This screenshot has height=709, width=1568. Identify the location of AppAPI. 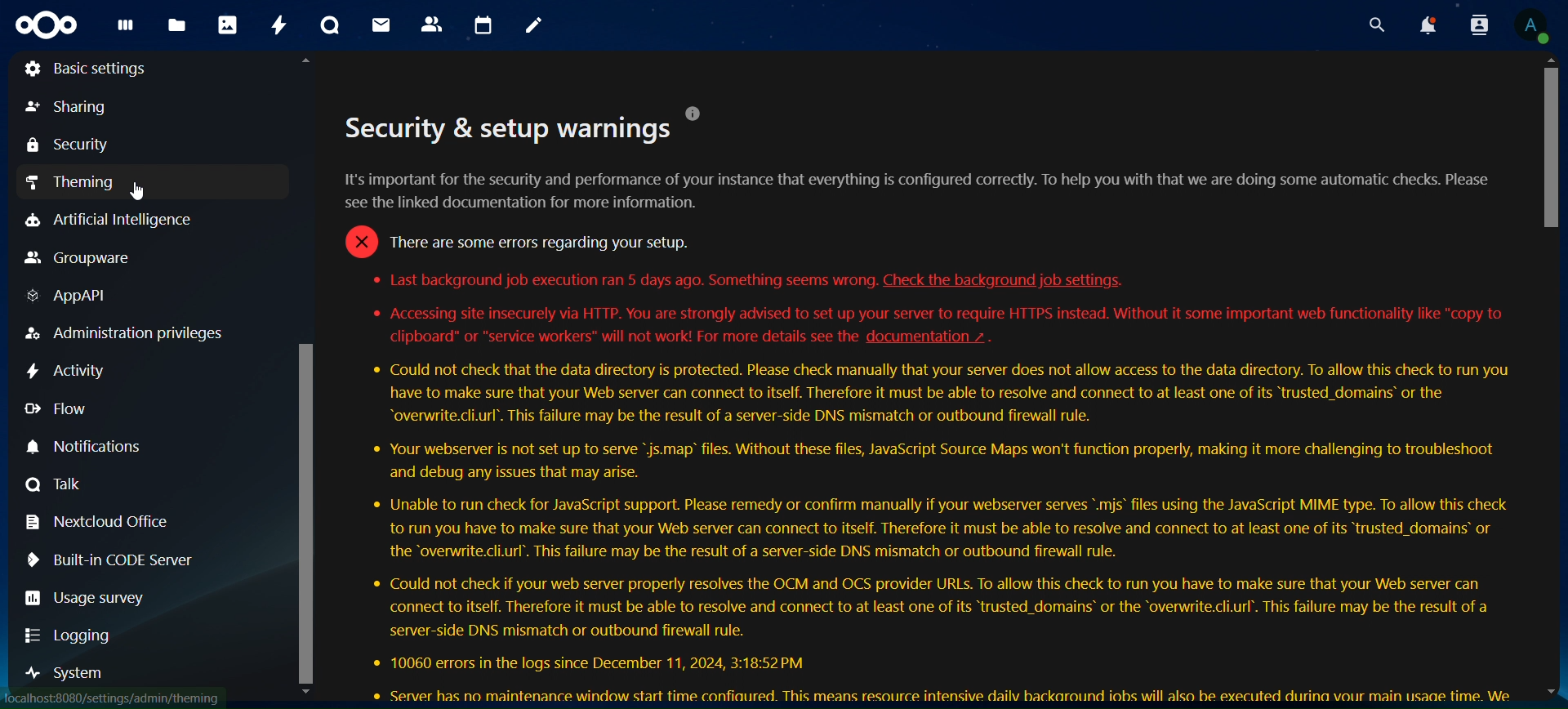
(73, 297).